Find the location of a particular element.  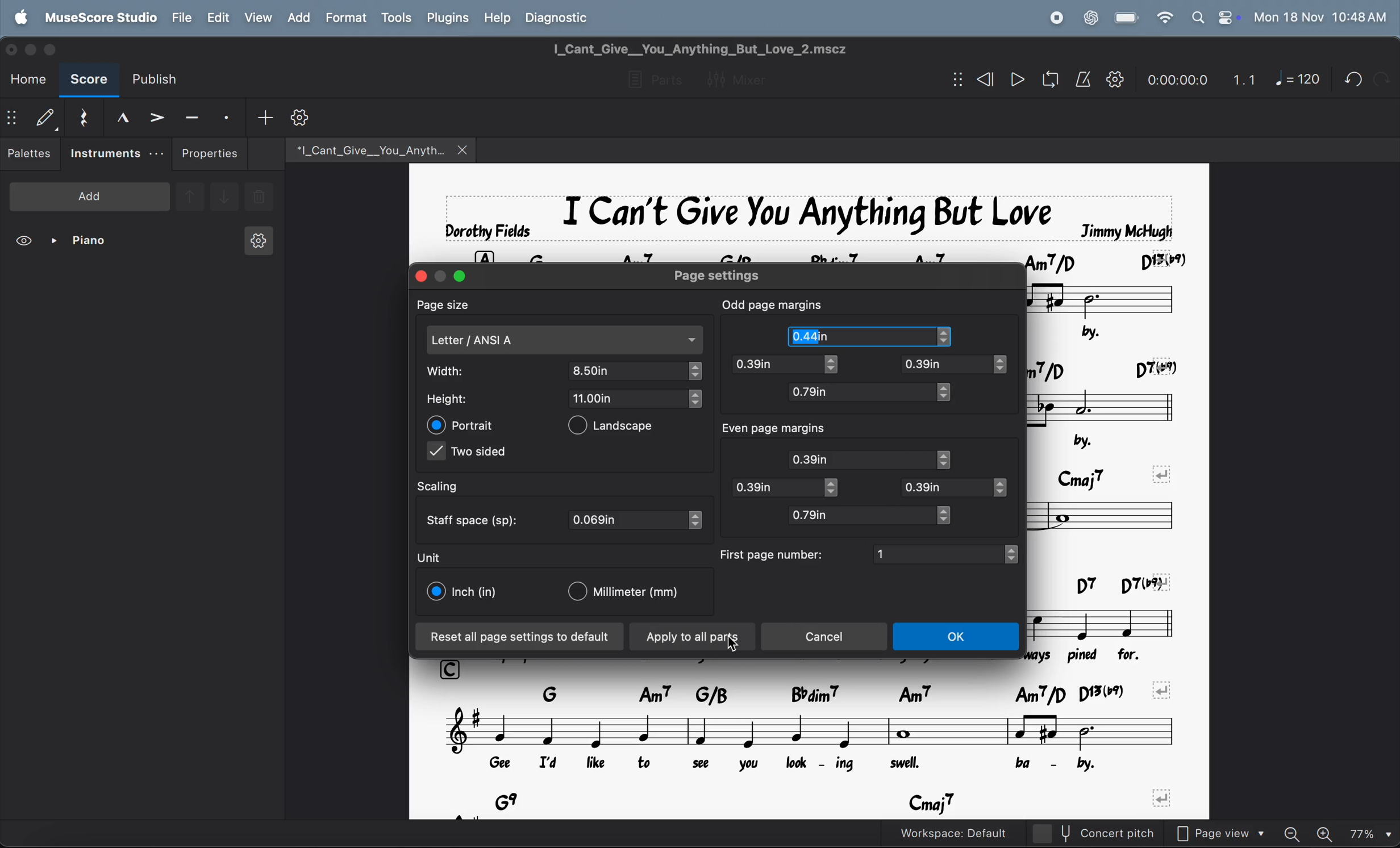

zoom in is located at coordinates (1327, 832).